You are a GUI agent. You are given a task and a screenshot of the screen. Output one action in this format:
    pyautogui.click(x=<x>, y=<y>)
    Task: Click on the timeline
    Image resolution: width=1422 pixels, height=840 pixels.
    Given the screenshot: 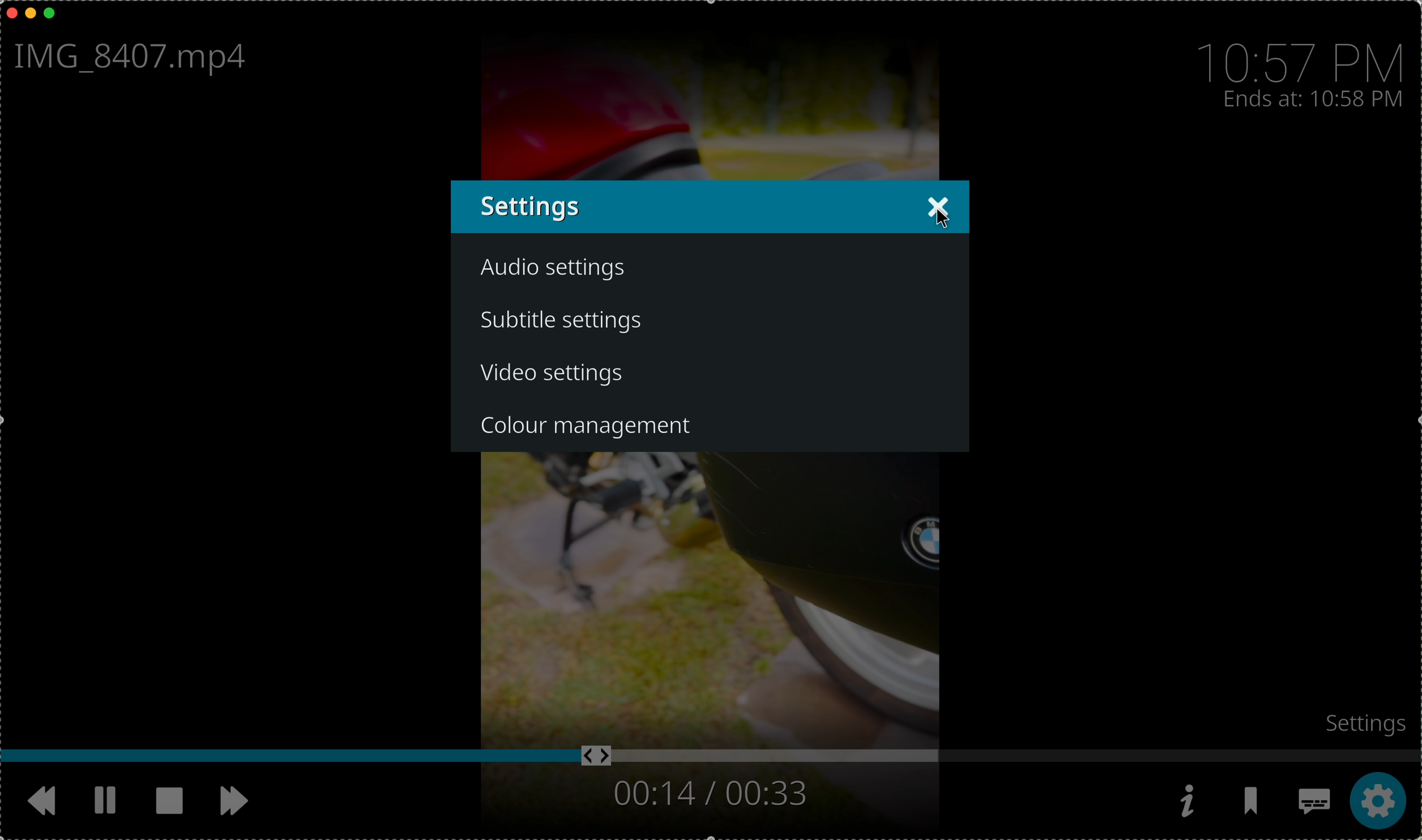 What is the action you would take?
    pyautogui.click(x=711, y=756)
    